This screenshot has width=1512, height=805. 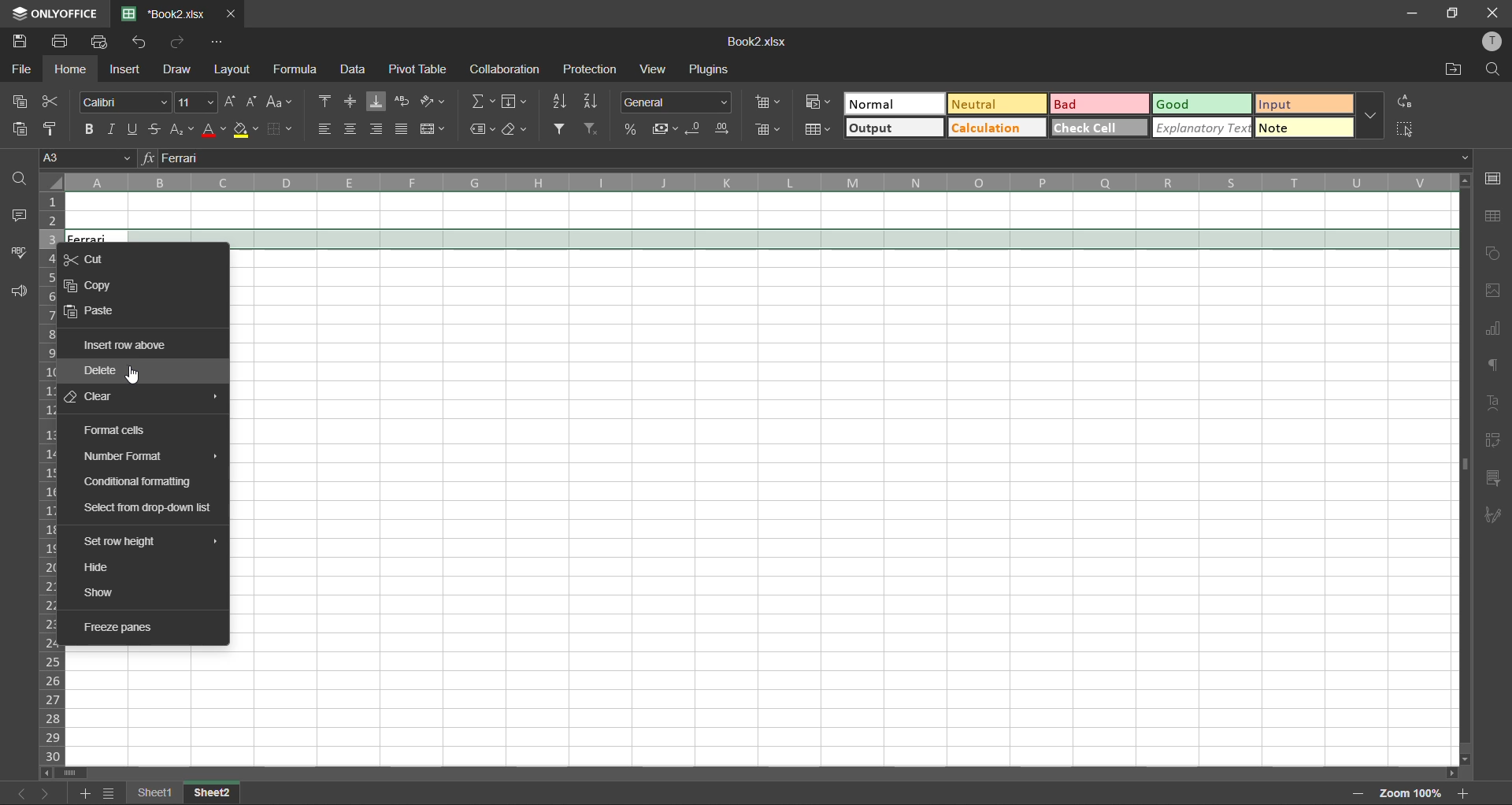 I want to click on clear, so click(x=520, y=130).